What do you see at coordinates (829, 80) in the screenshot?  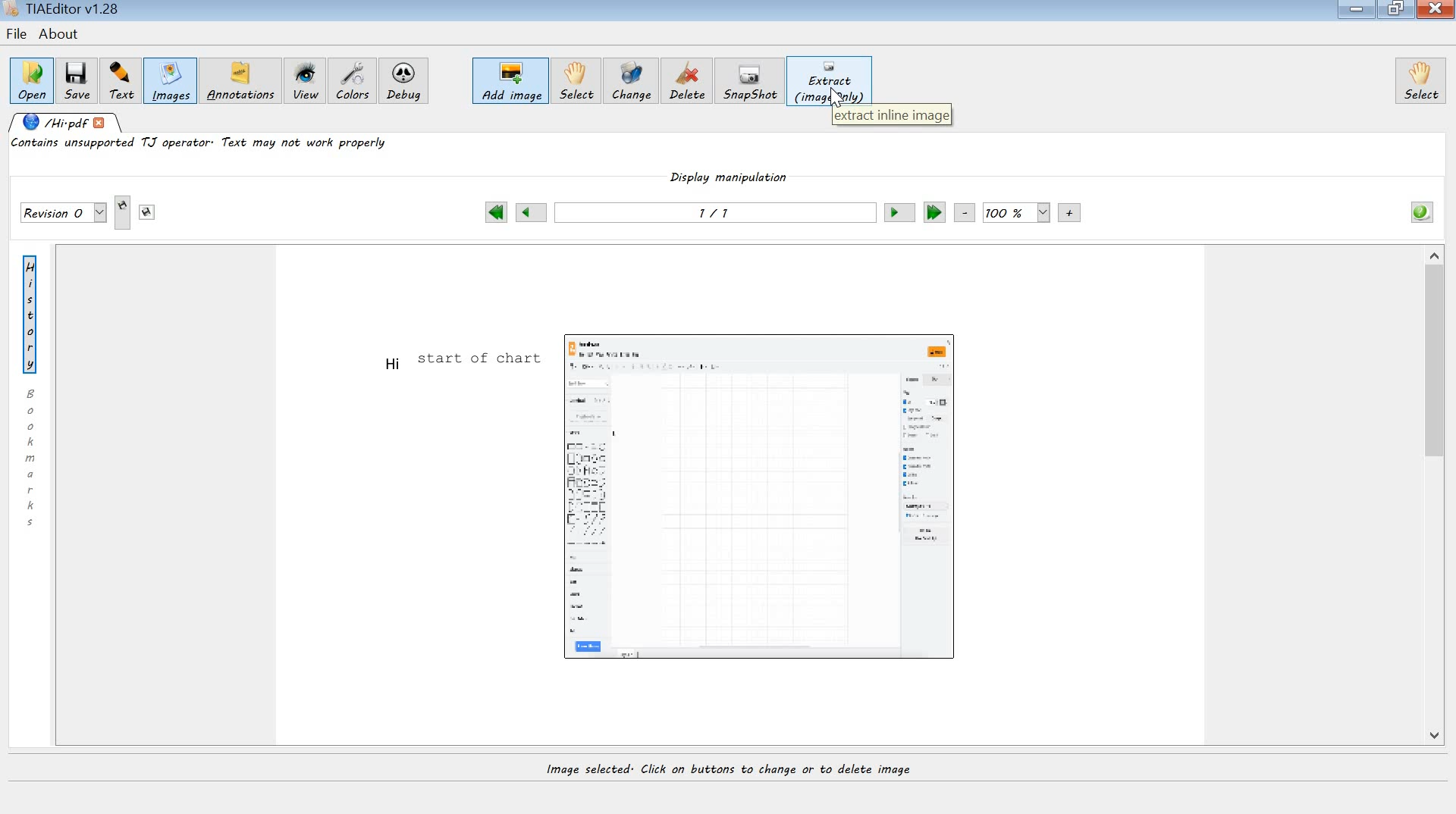 I see `extract (image only)` at bounding box center [829, 80].